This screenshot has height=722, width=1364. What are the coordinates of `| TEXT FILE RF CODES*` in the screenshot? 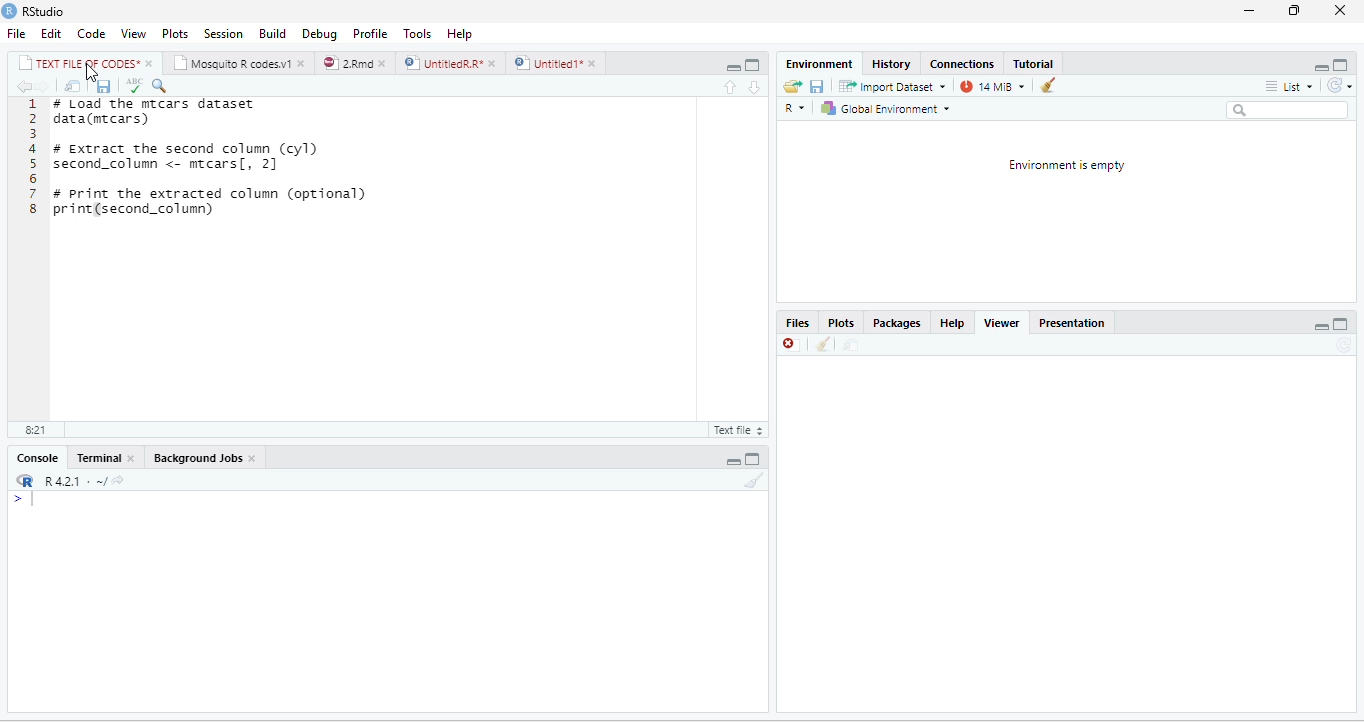 It's located at (78, 61).